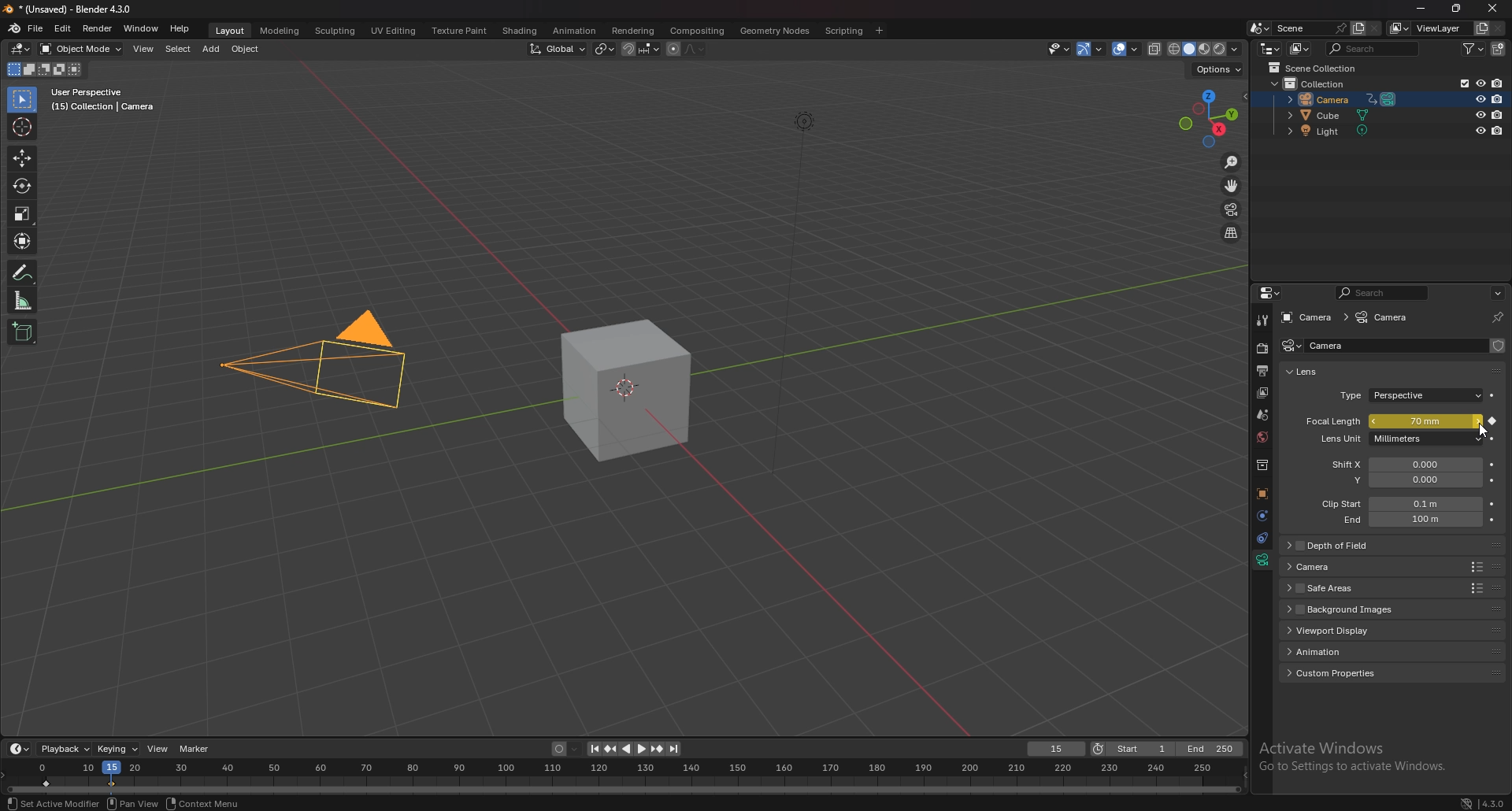 This screenshot has width=1512, height=811. Describe the element at coordinates (1262, 466) in the screenshot. I see `collections` at that location.